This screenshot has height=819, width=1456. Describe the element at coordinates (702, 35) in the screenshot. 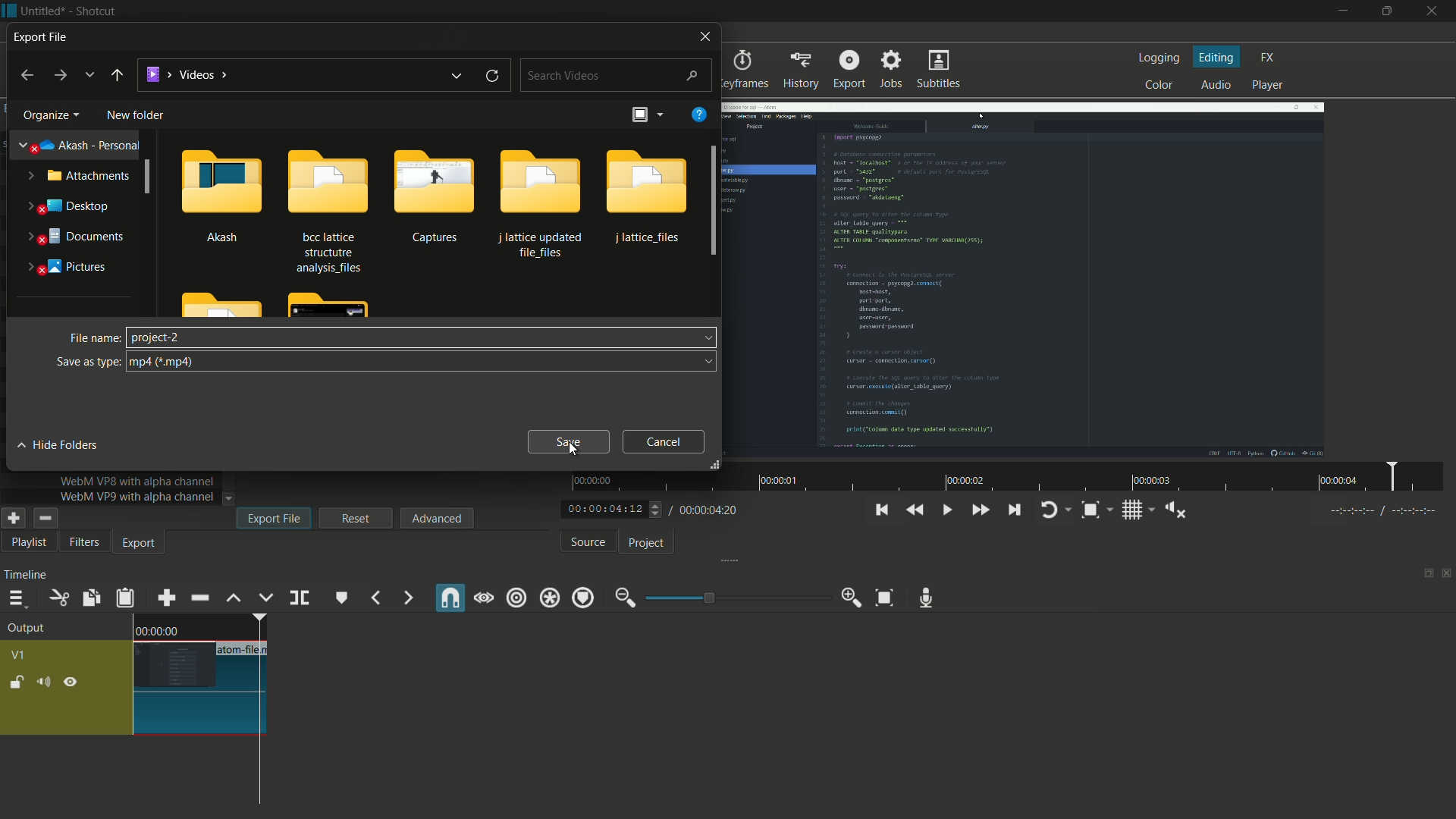

I see `close` at that location.